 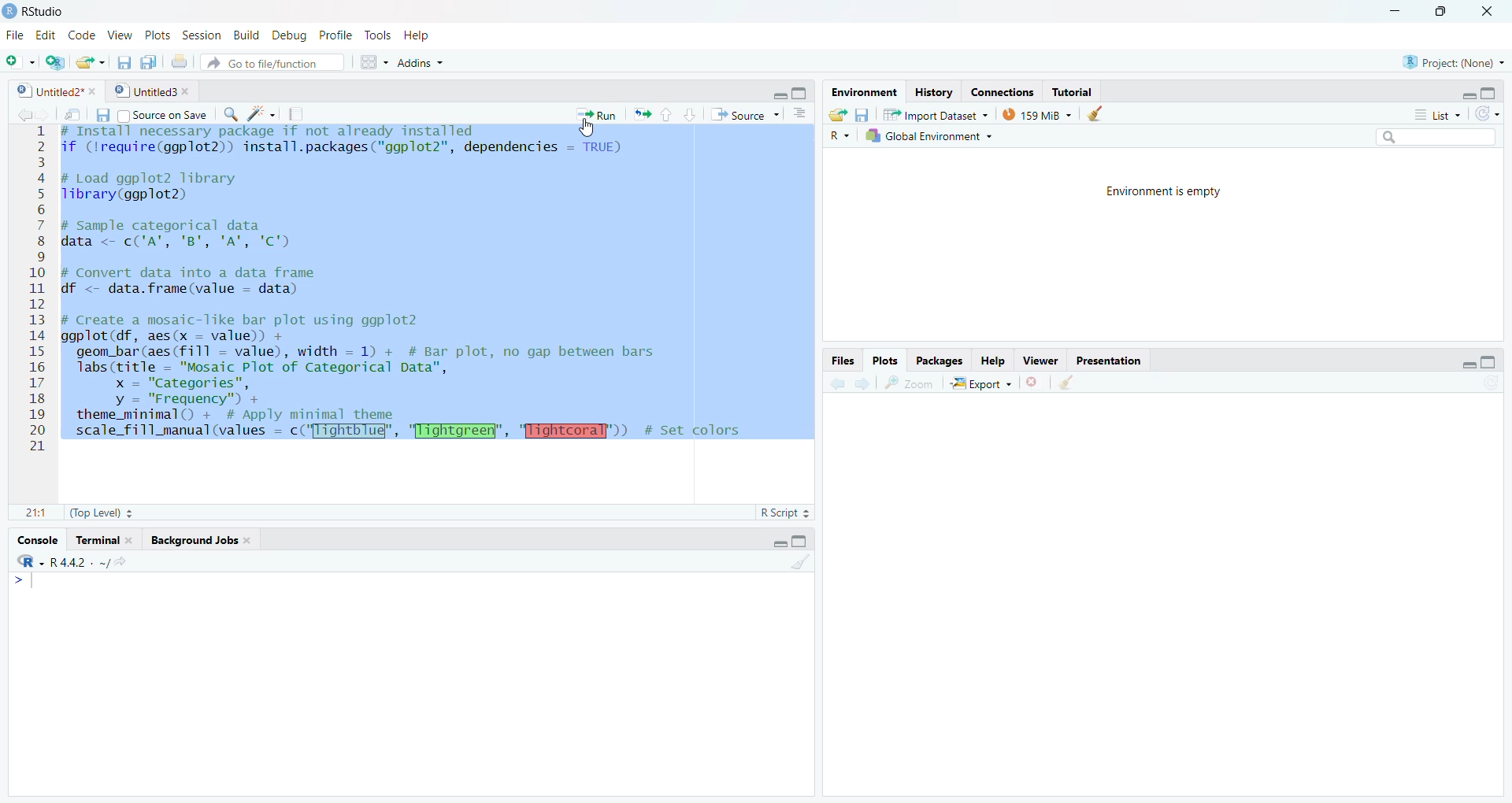 I want to click on Zoom, so click(x=911, y=383).